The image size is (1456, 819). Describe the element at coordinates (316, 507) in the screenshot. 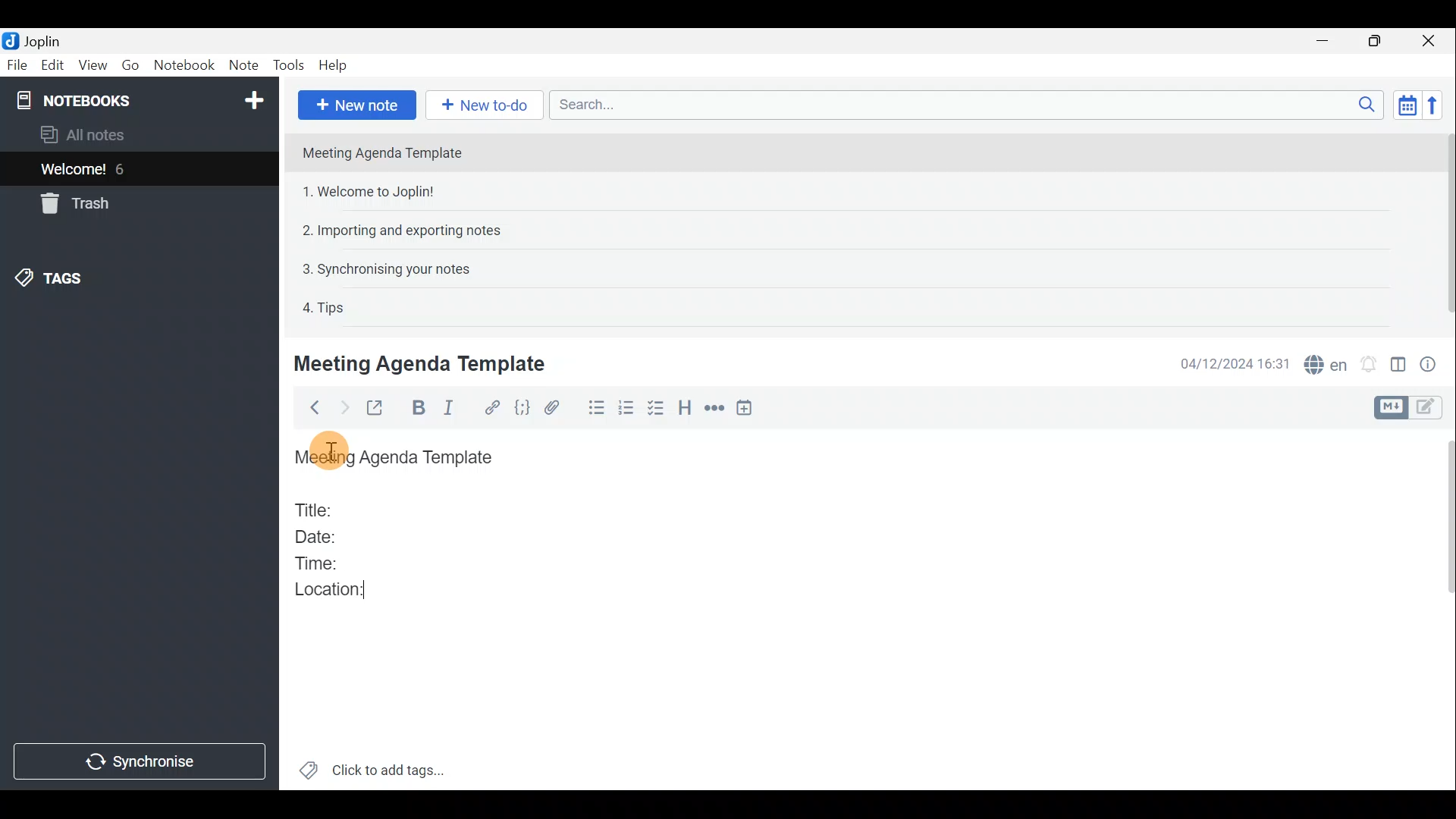

I see `Title:` at that location.